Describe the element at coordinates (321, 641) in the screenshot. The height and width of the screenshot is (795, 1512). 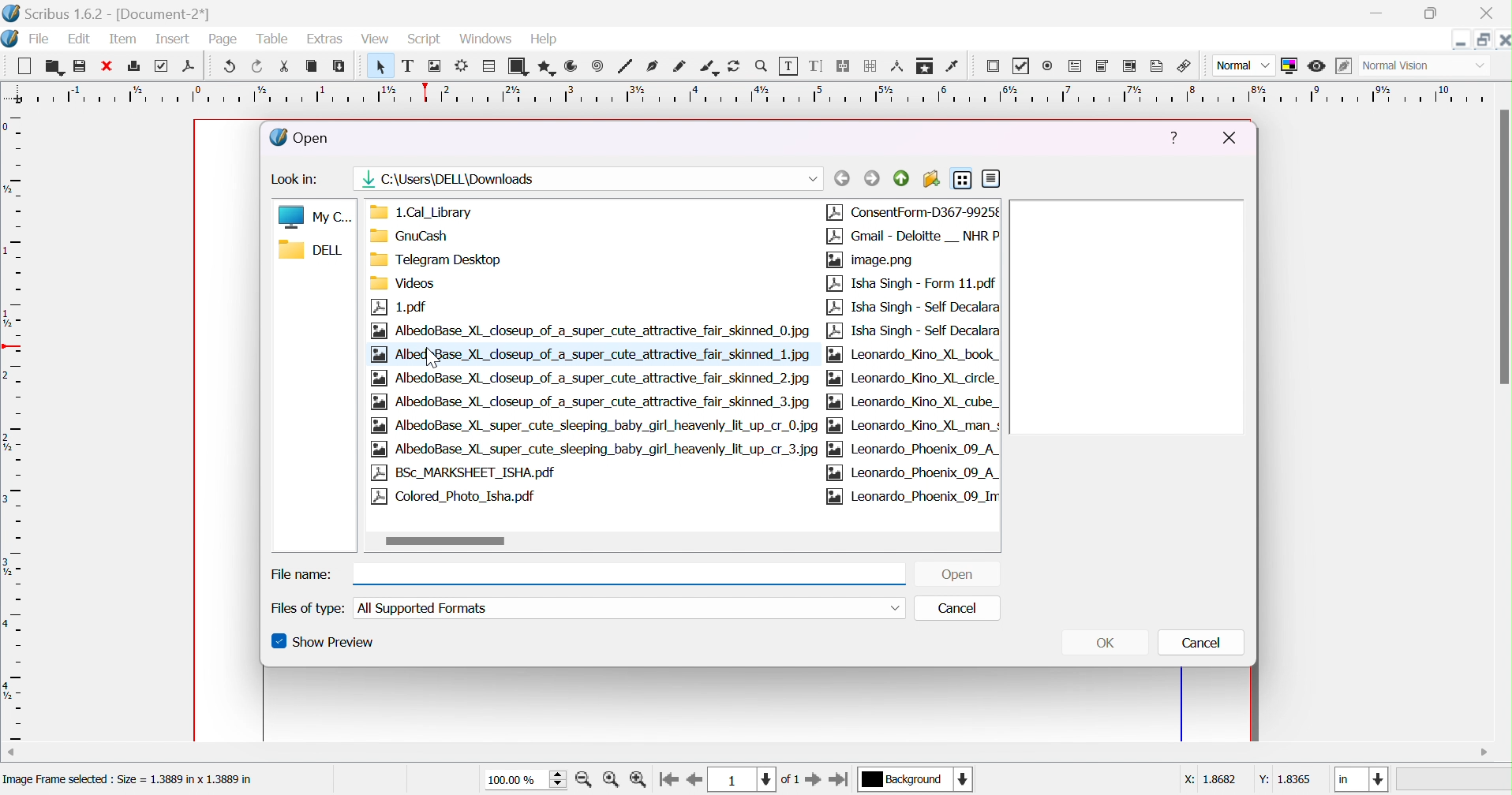
I see `show preview` at that location.